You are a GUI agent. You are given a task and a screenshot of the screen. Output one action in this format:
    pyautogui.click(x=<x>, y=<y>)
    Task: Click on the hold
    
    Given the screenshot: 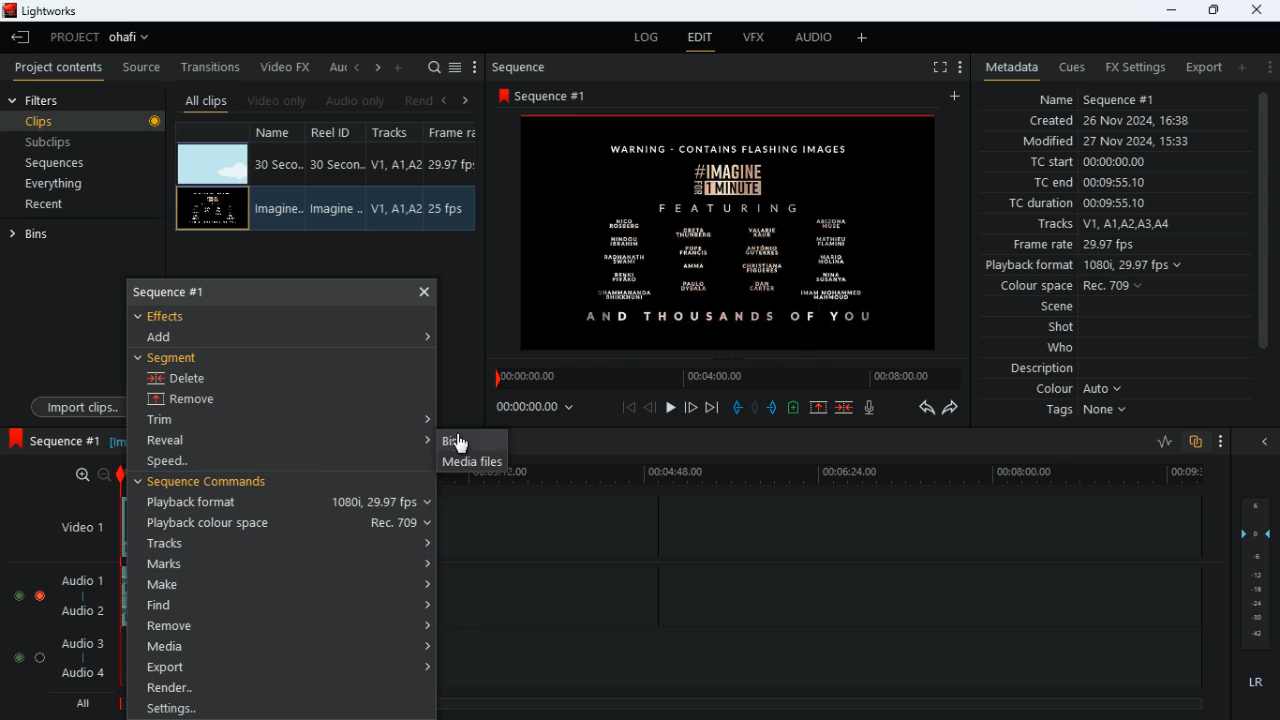 What is the action you would take?
    pyautogui.click(x=756, y=408)
    